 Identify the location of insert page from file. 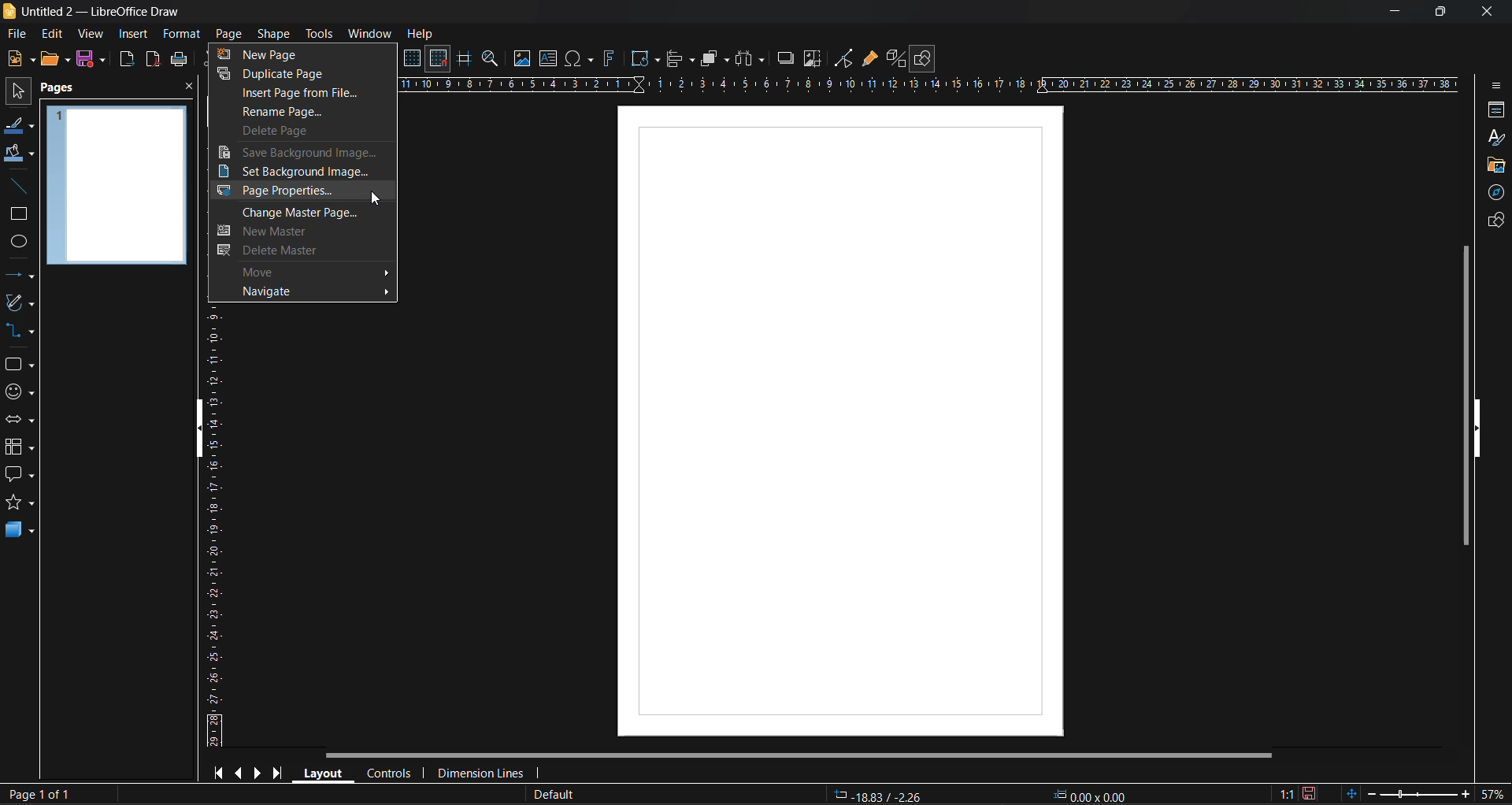
(301, 93).